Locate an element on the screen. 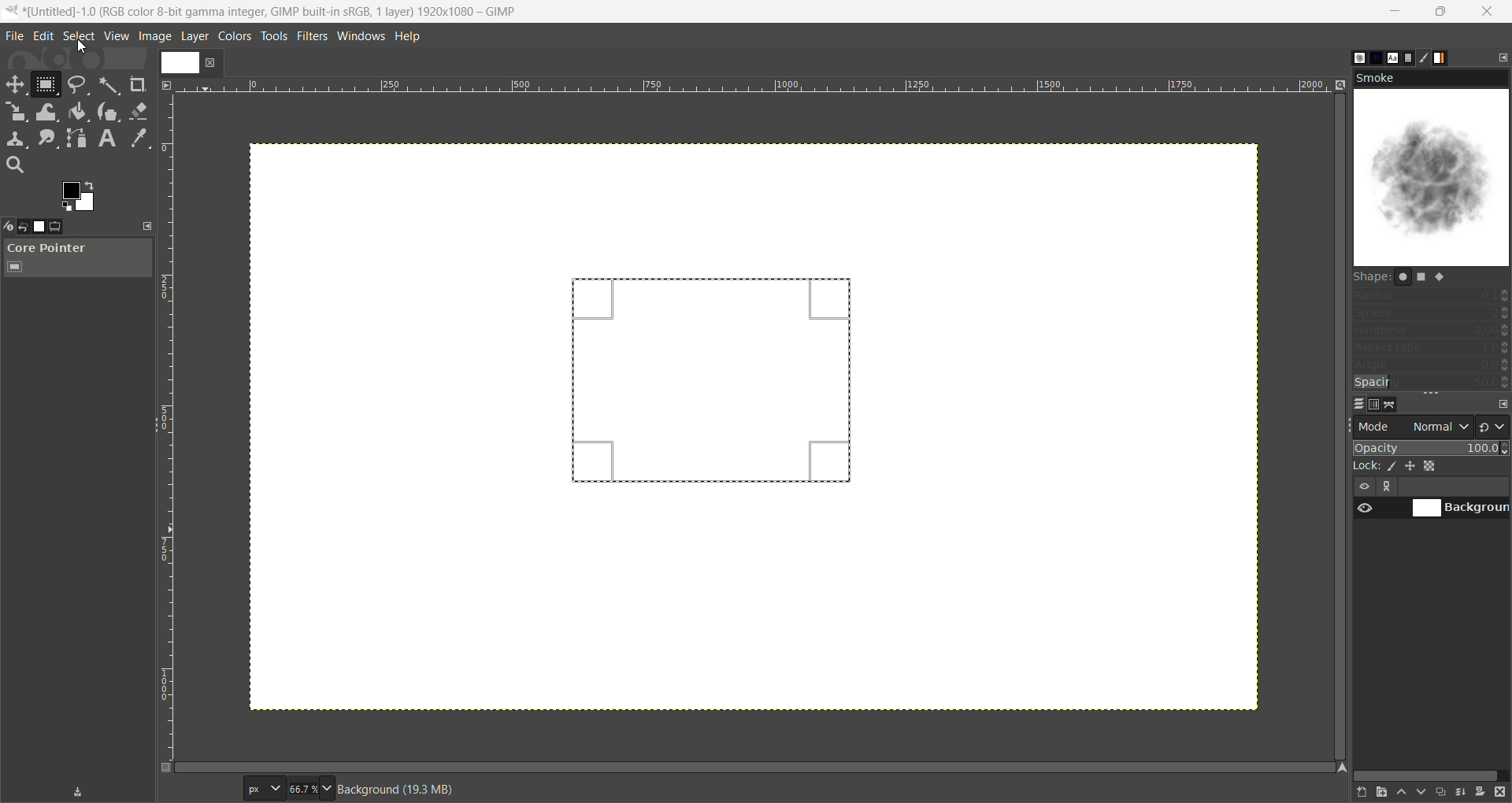 This screenshot has height=803, width=1512. layer is located at coordinates (1358, 405).